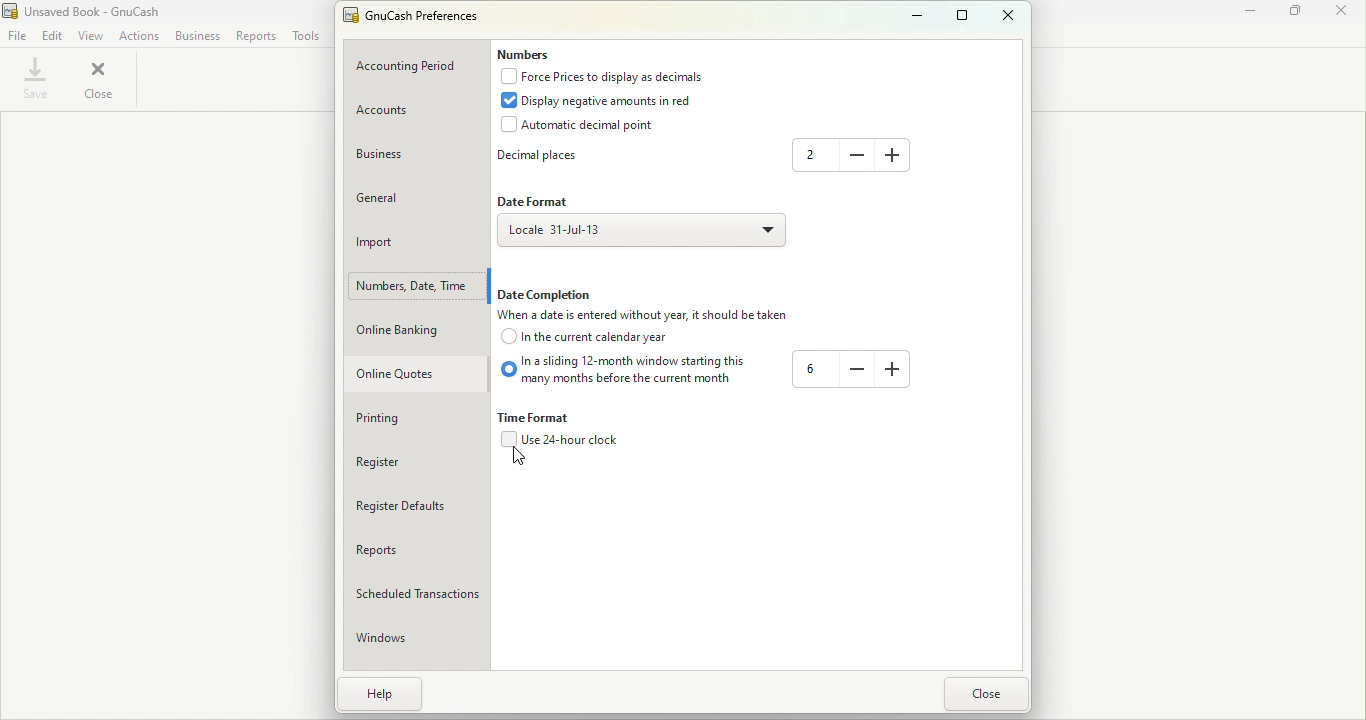 The width and height of the screenshot is (1366, 720). I want to click on GnuCash Preferences, so click(417, 14).